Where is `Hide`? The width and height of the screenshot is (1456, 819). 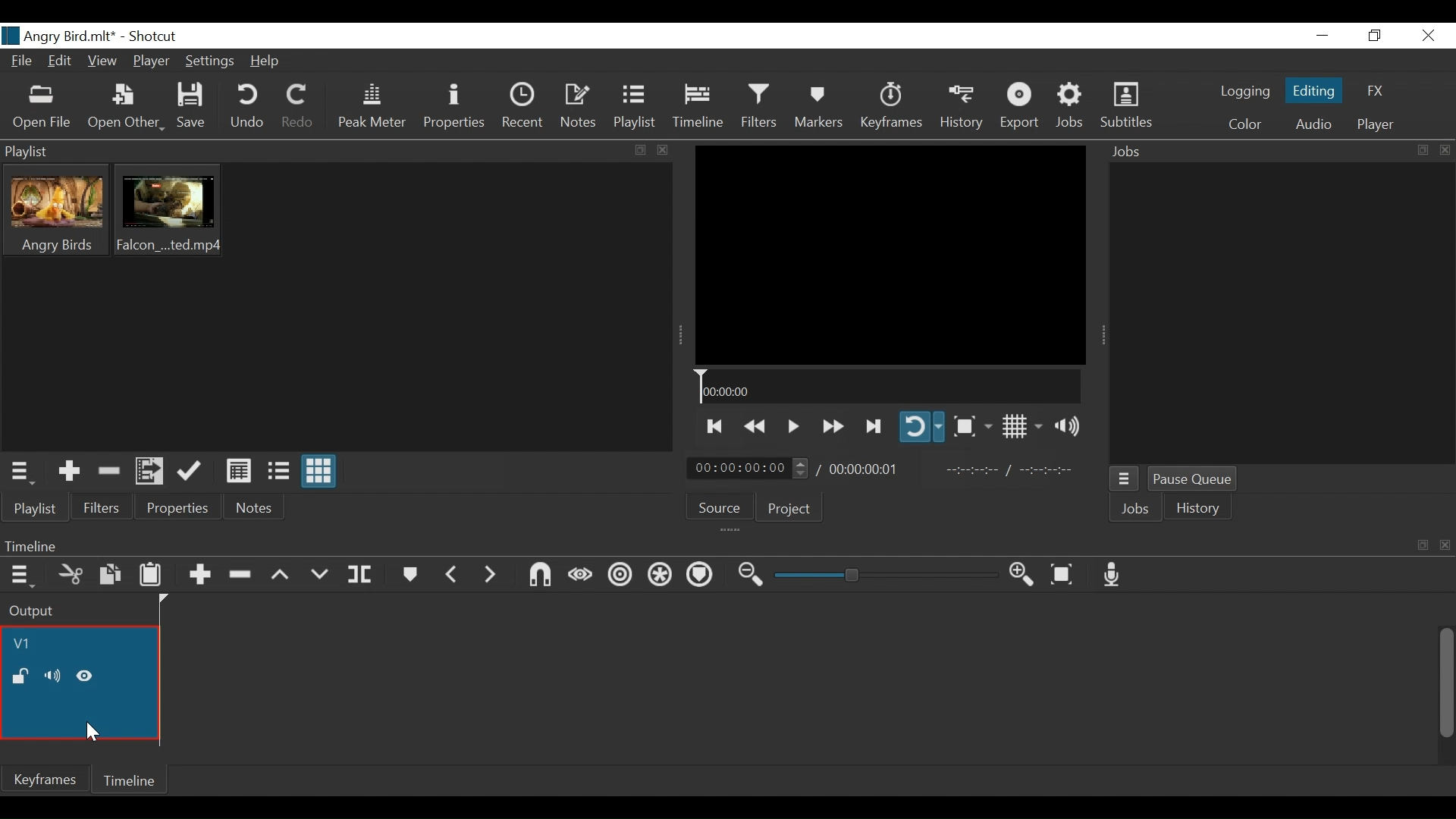
Hide is located at coordinates (90, 733).